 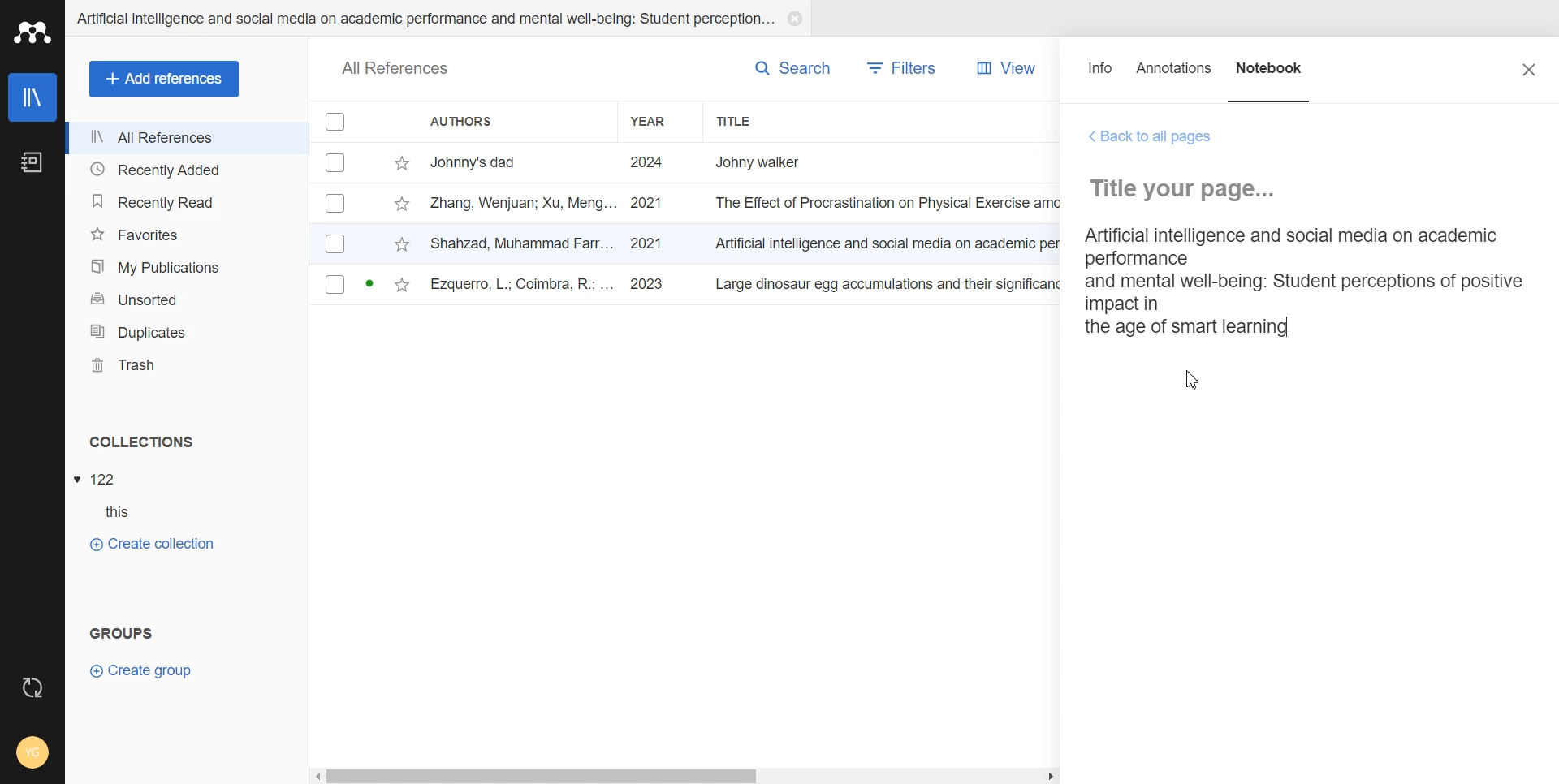 What do you see at coordinates (186, 235) in the screenshot?
I see `Favorites` at bounding box center [186, 235].